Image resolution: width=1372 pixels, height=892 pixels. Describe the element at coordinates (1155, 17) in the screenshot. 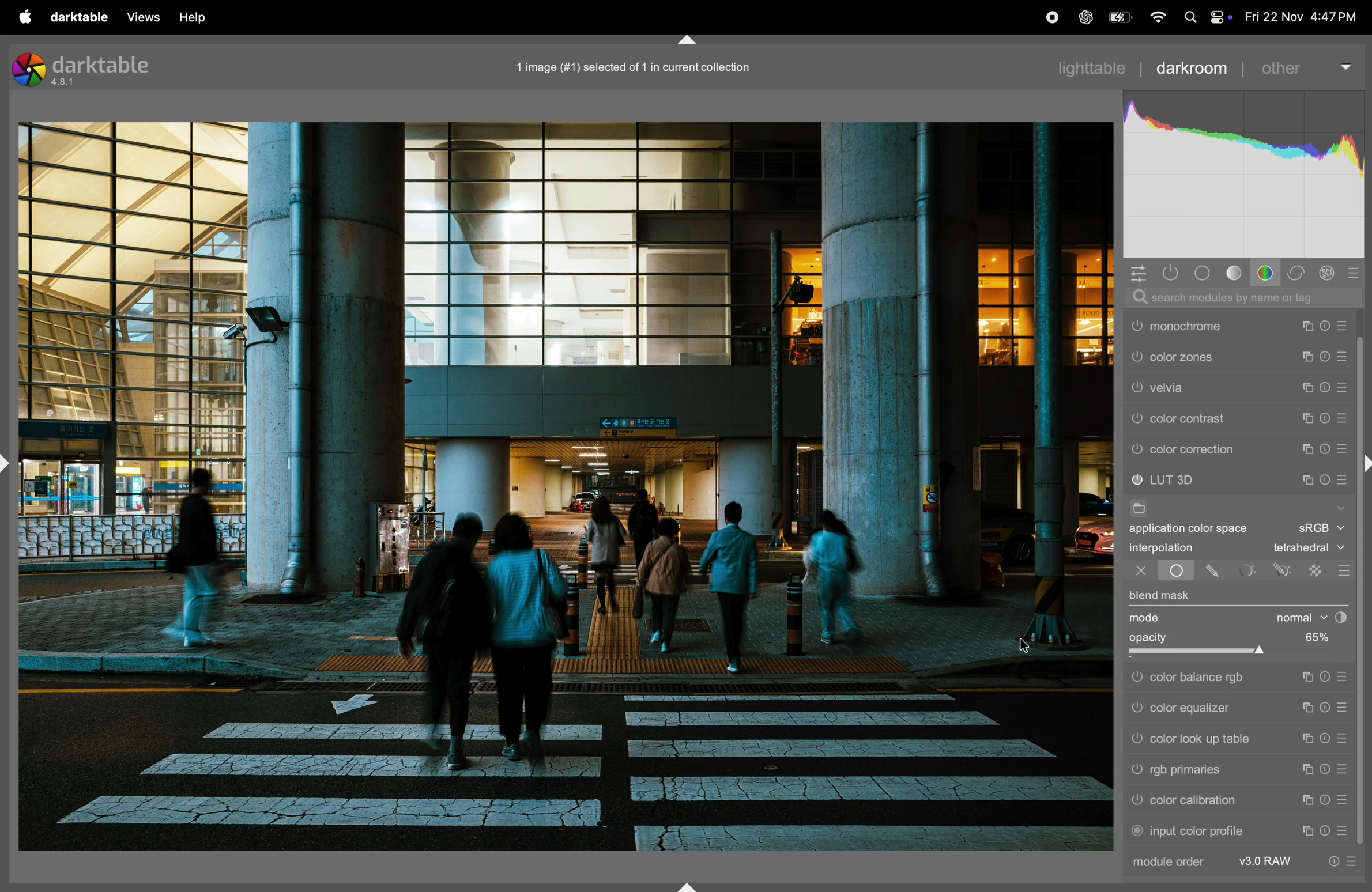

I see `wifi` at that location.